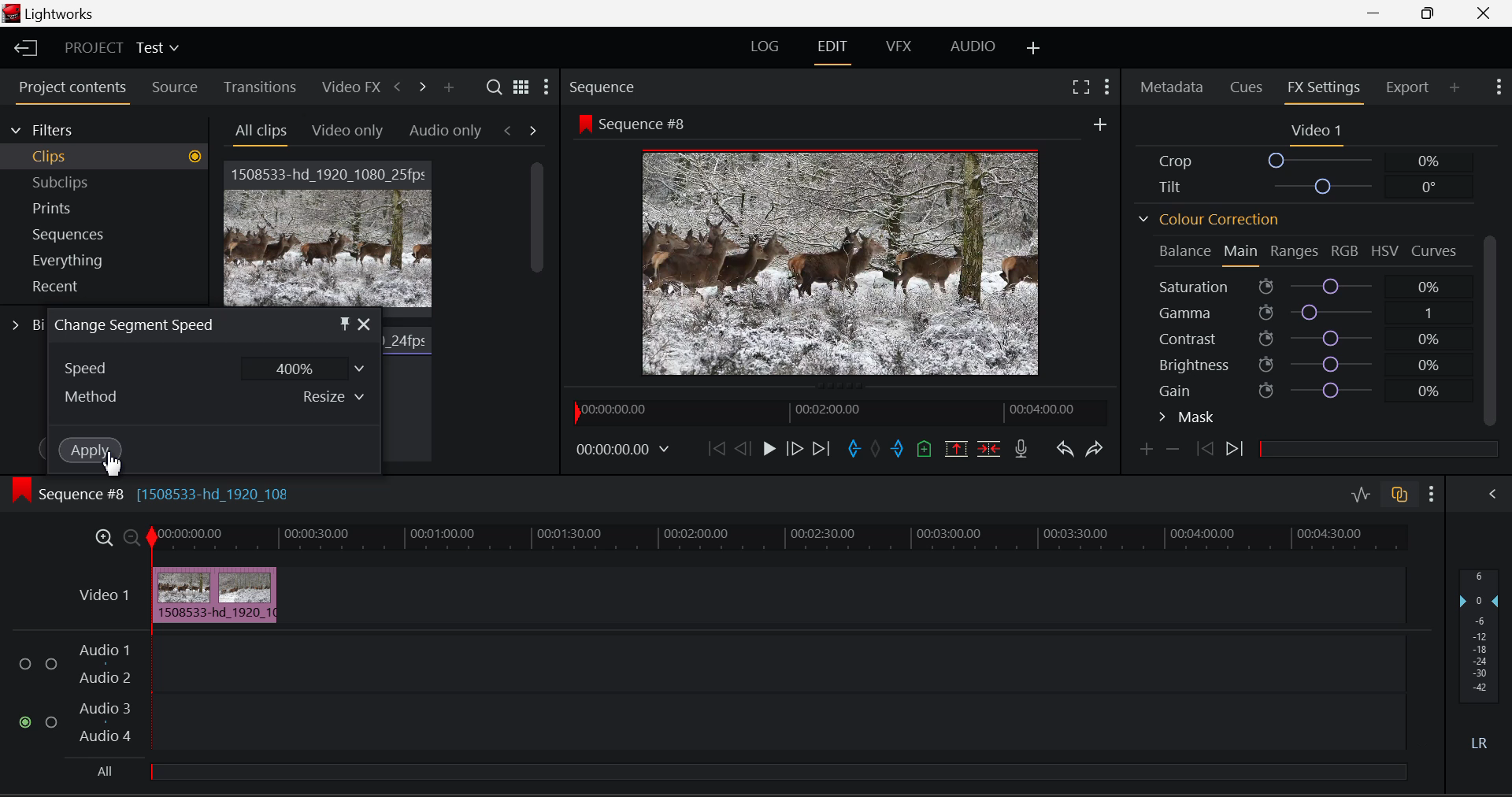 Image resolution: width=1512 pixels, height=797 pixels. Describe the element at coordinates (106, 710) in the screenshot. I see `Audio 3` at that location.